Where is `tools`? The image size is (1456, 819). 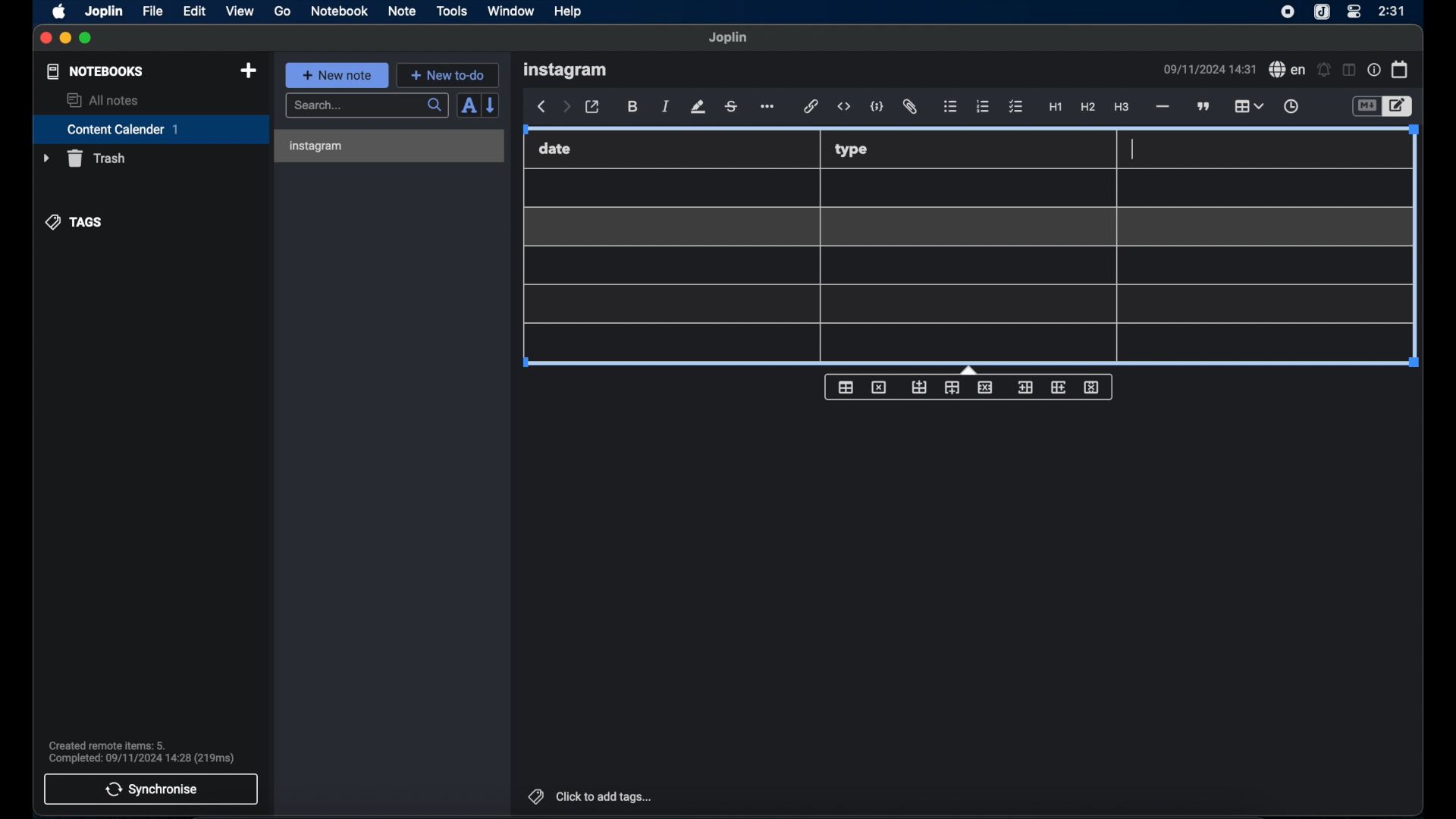
tools is located at coordinates (451, 11).